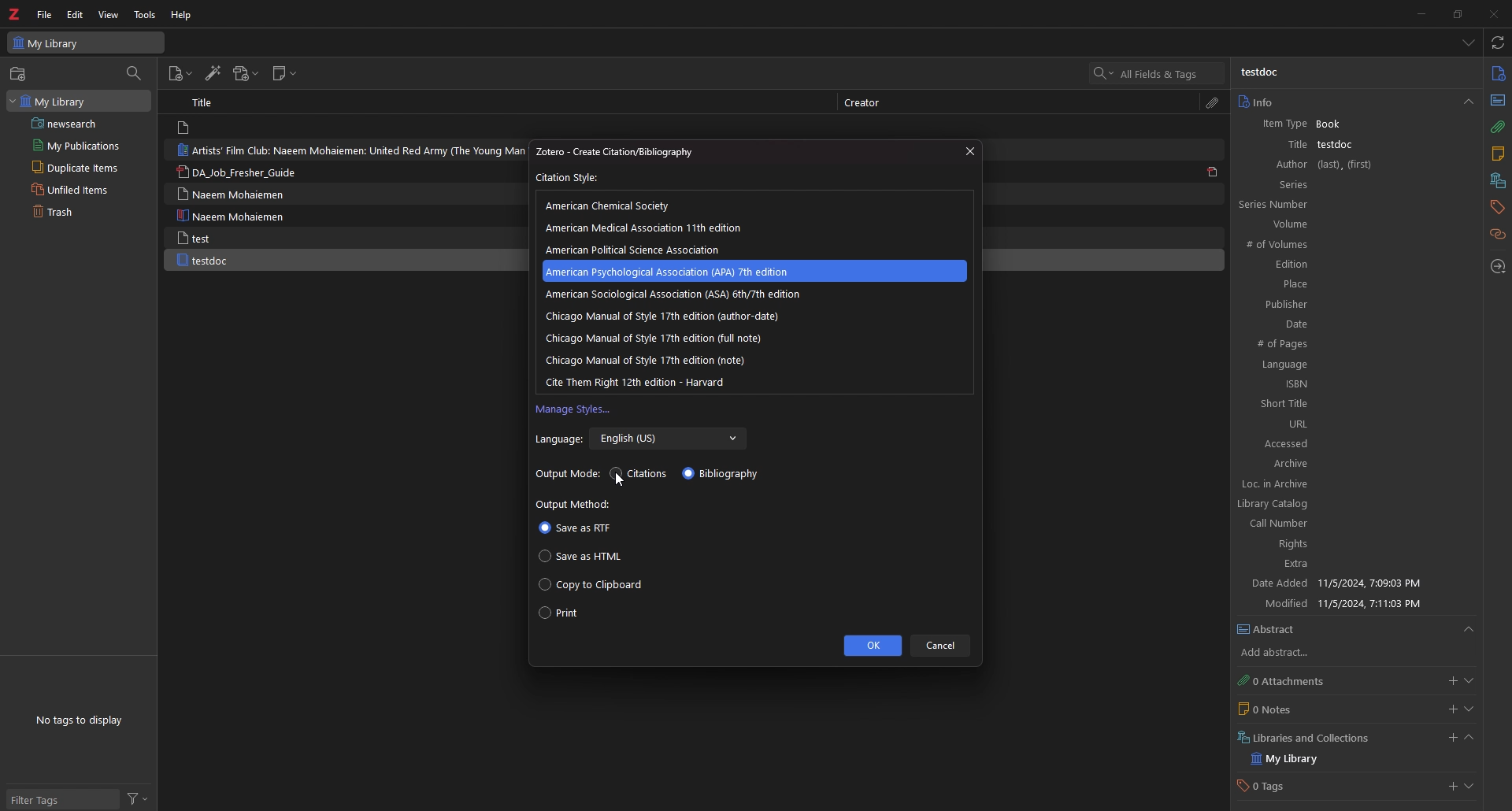  I want to click on Publisher, so click(1345, 303).